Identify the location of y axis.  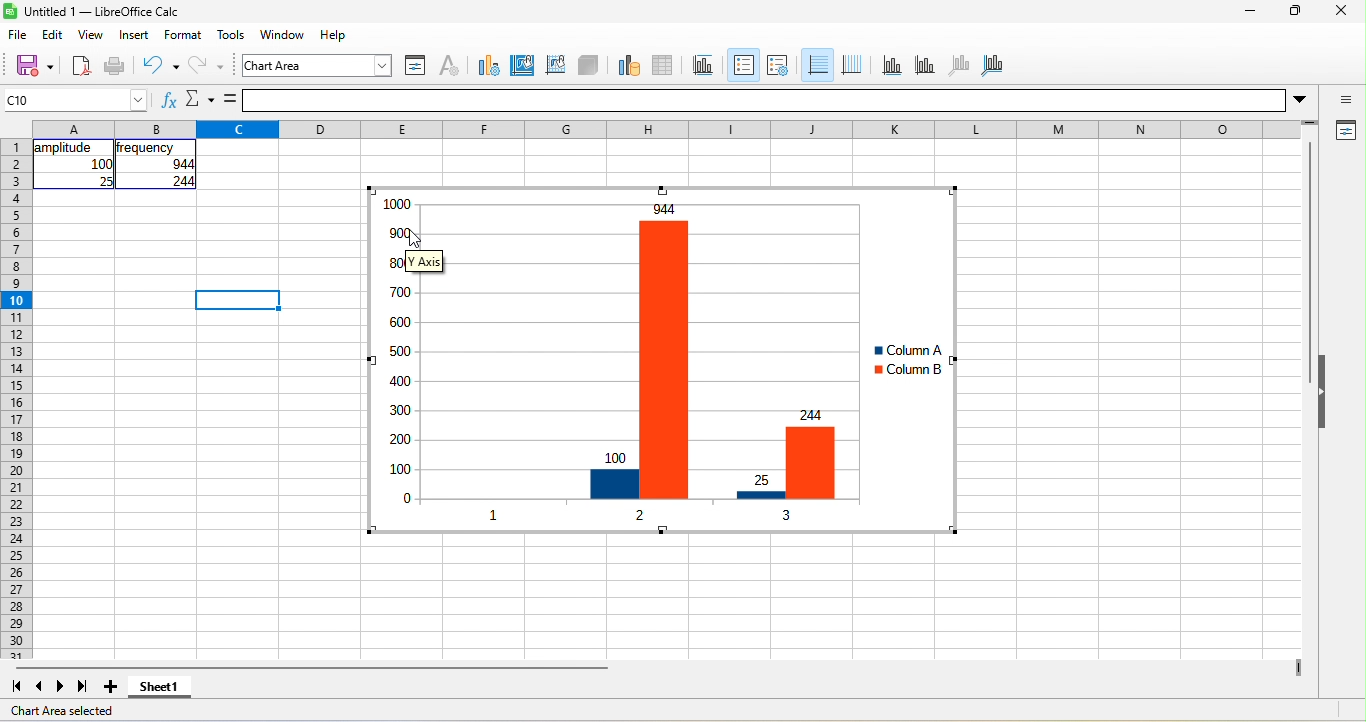
(923, 64).